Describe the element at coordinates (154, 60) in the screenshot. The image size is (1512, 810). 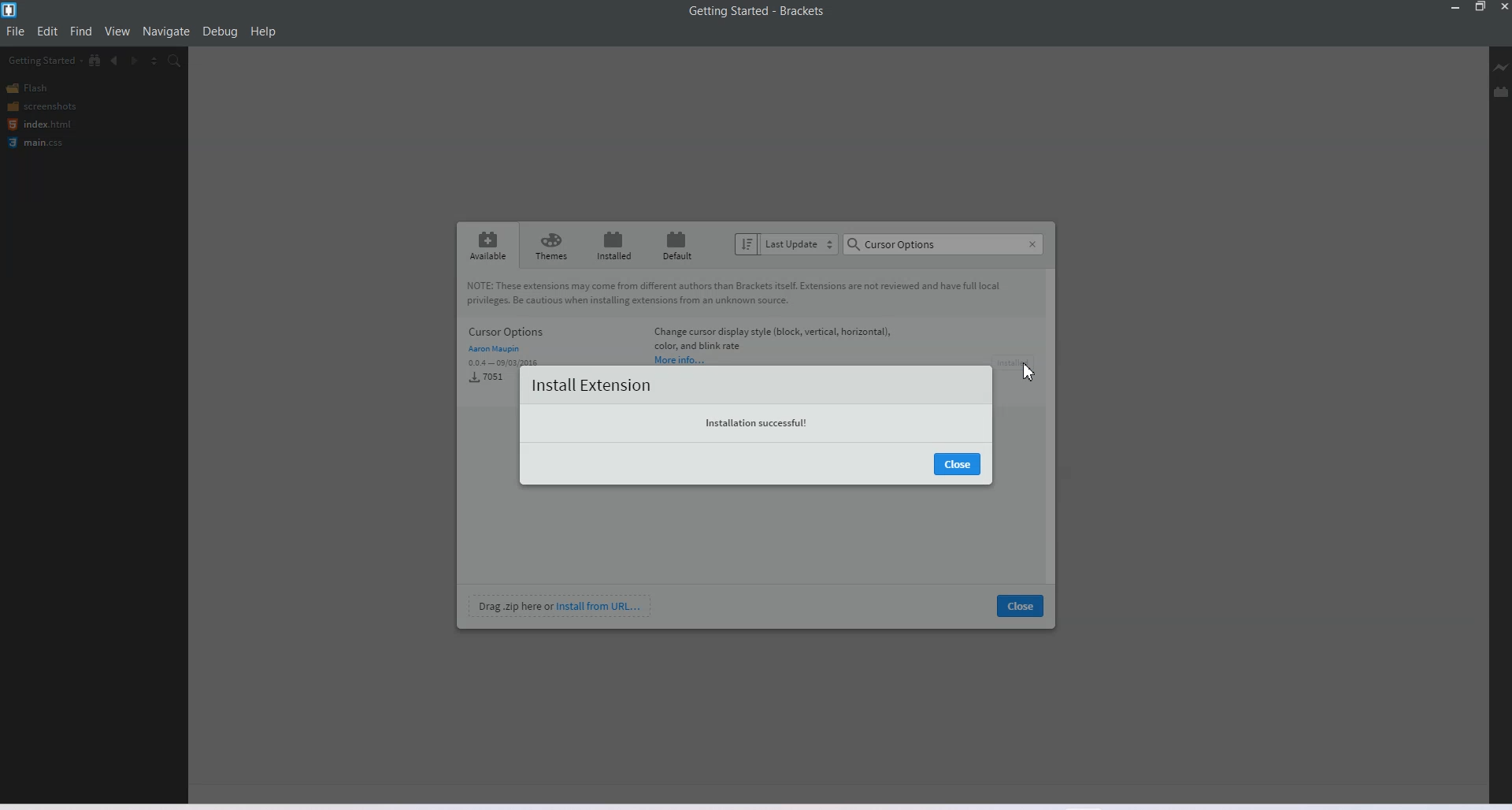
I see `Split the editor vertically and Horizontally` at that location.